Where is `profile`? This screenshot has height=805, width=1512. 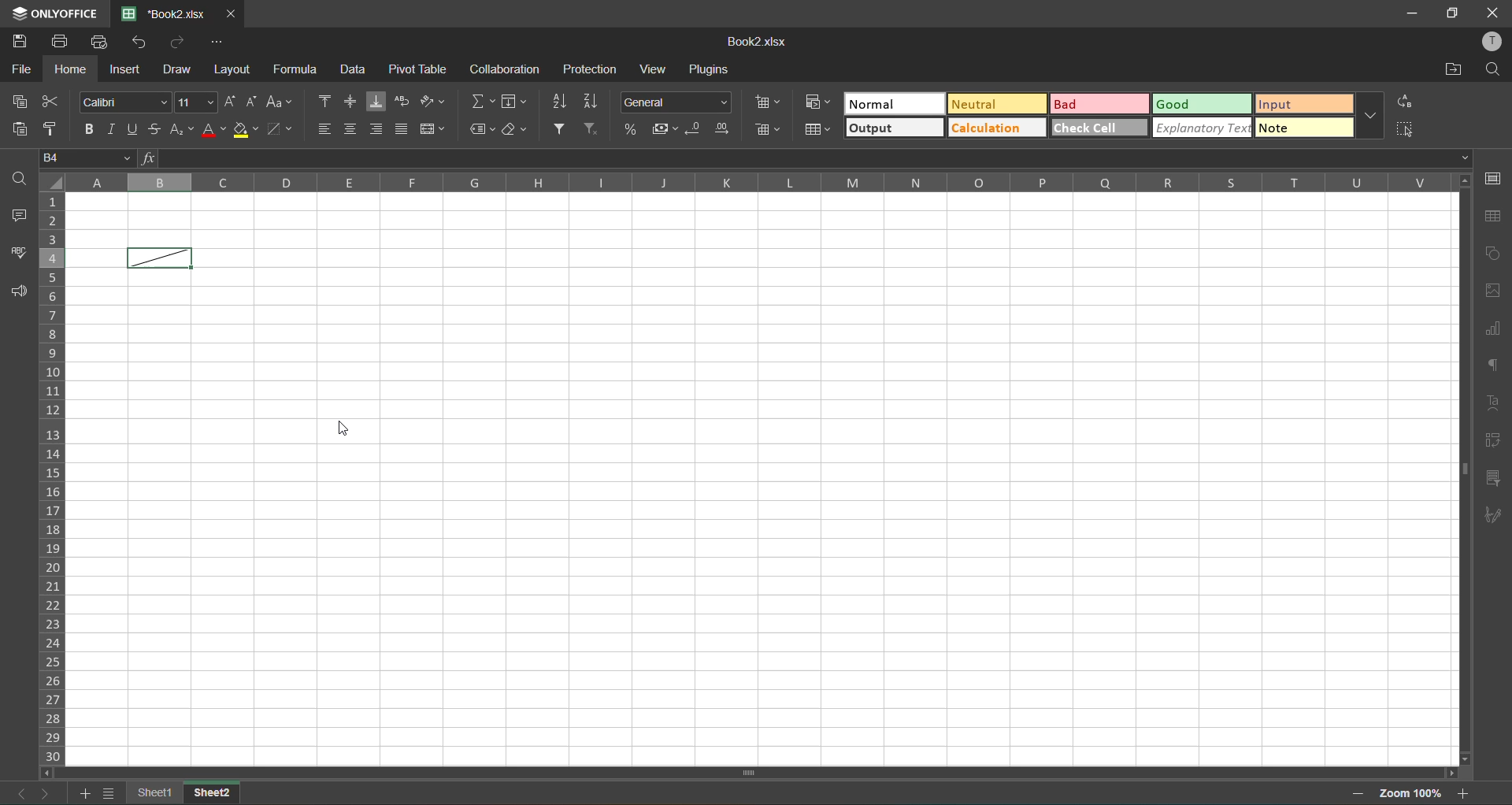
profile is located at coordinates (1492, 43).